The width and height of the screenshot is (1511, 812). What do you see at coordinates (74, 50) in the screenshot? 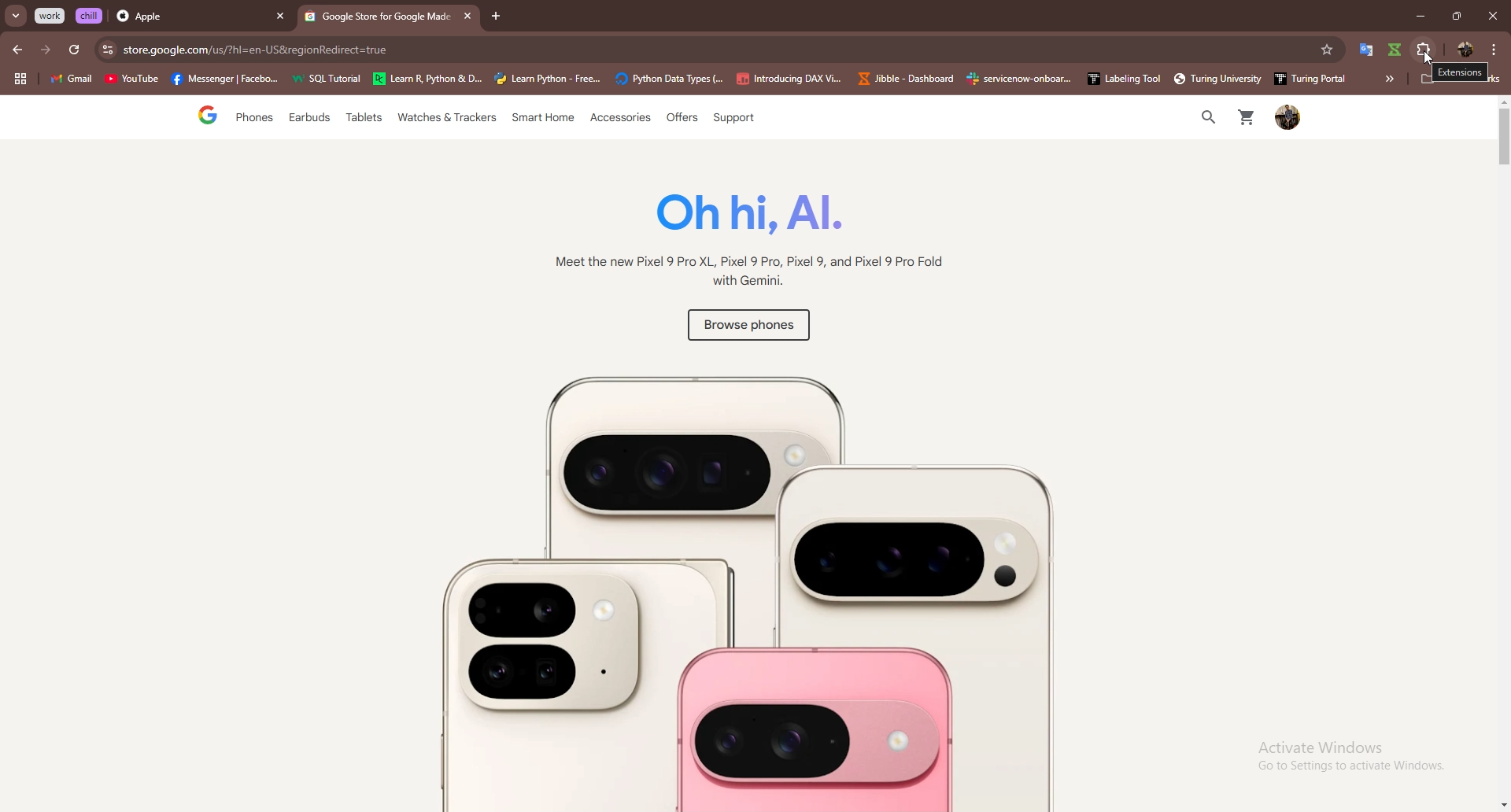
I see `refresh` at bounding box center [74, 50].